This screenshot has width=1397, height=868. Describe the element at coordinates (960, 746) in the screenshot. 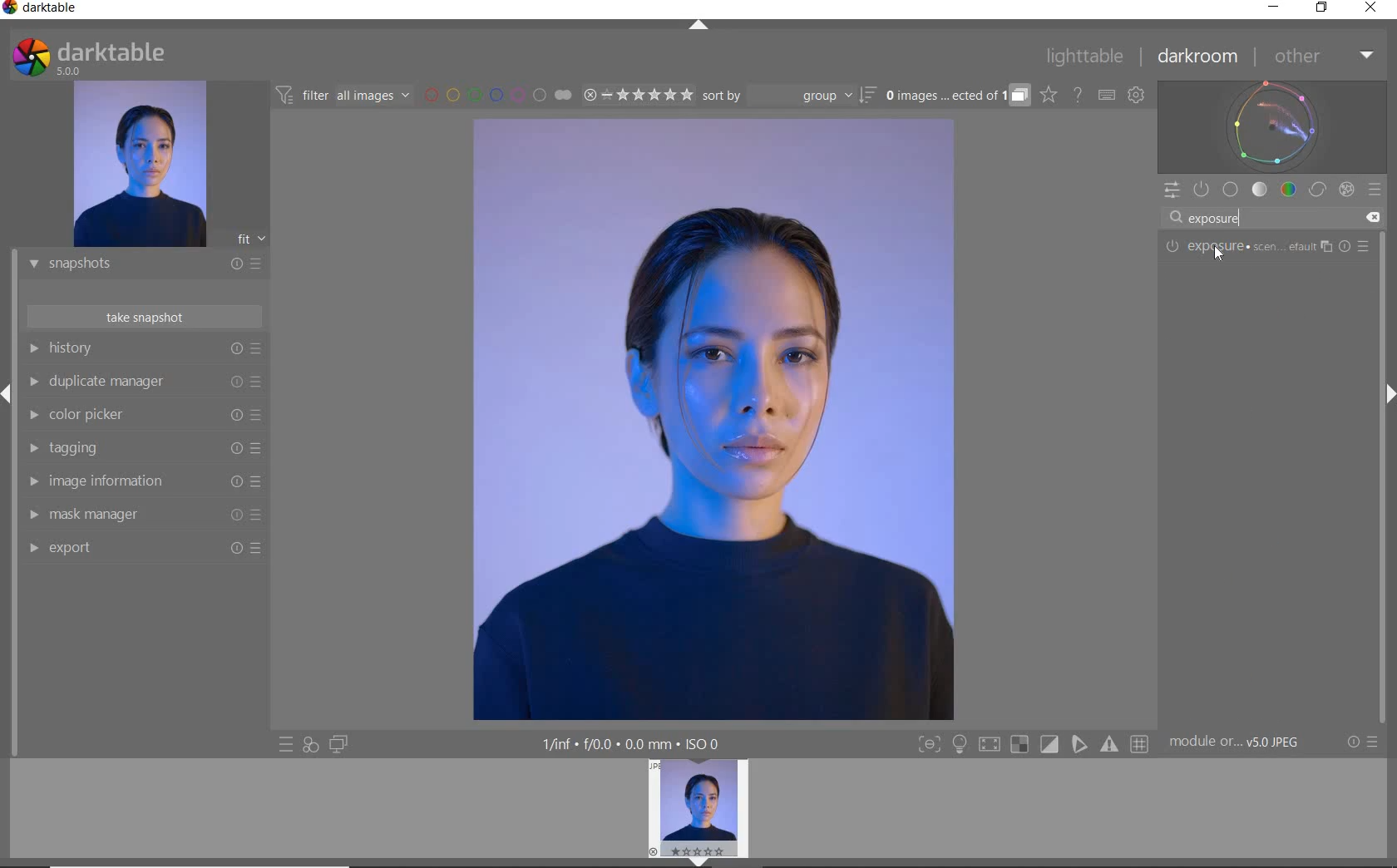

I see `Button` at that location.